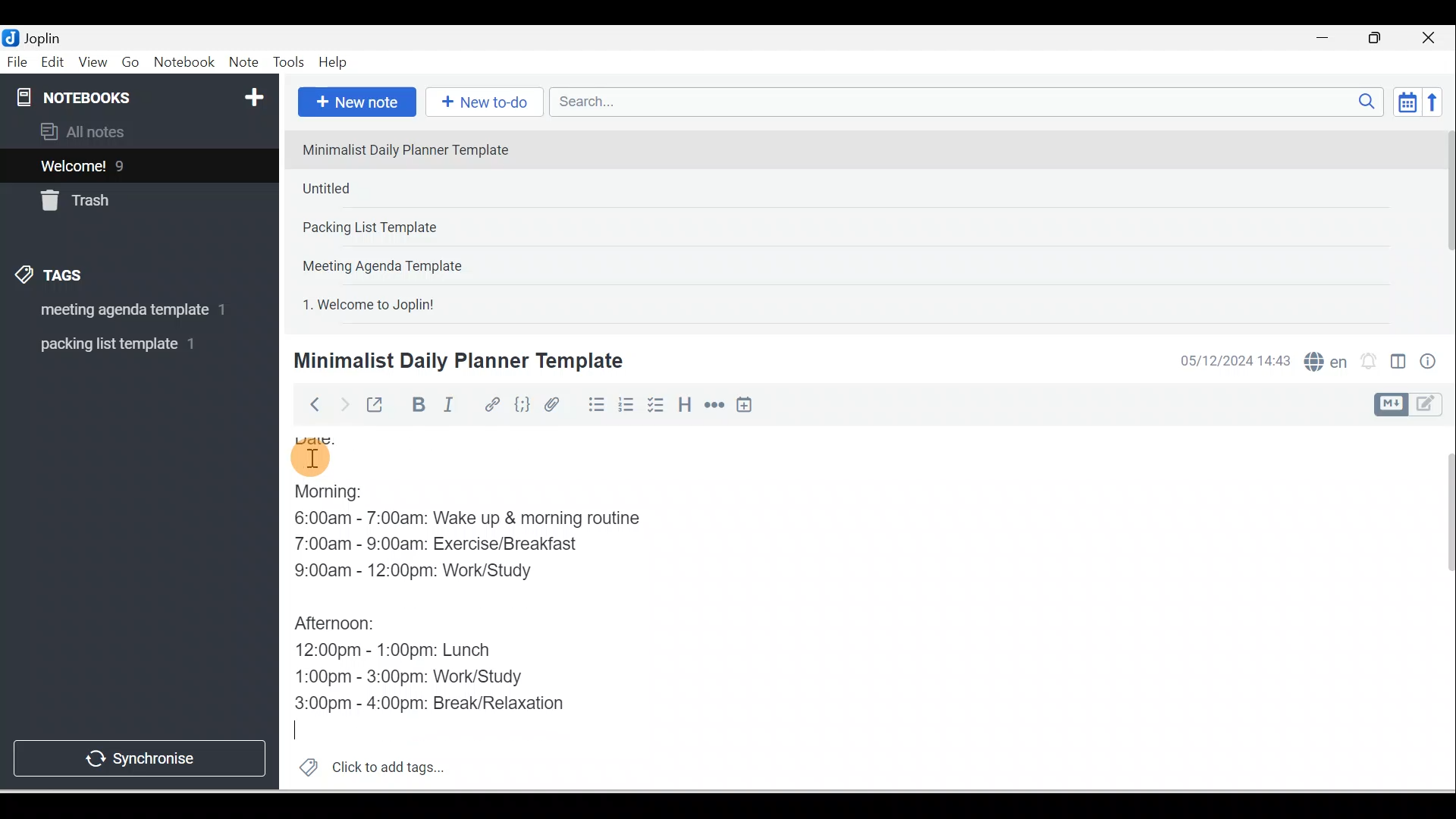 This screenshot has width=1456, height=819. Describe the element at coordinates (354, 103) in the screenshot. I see `New note` at that location.